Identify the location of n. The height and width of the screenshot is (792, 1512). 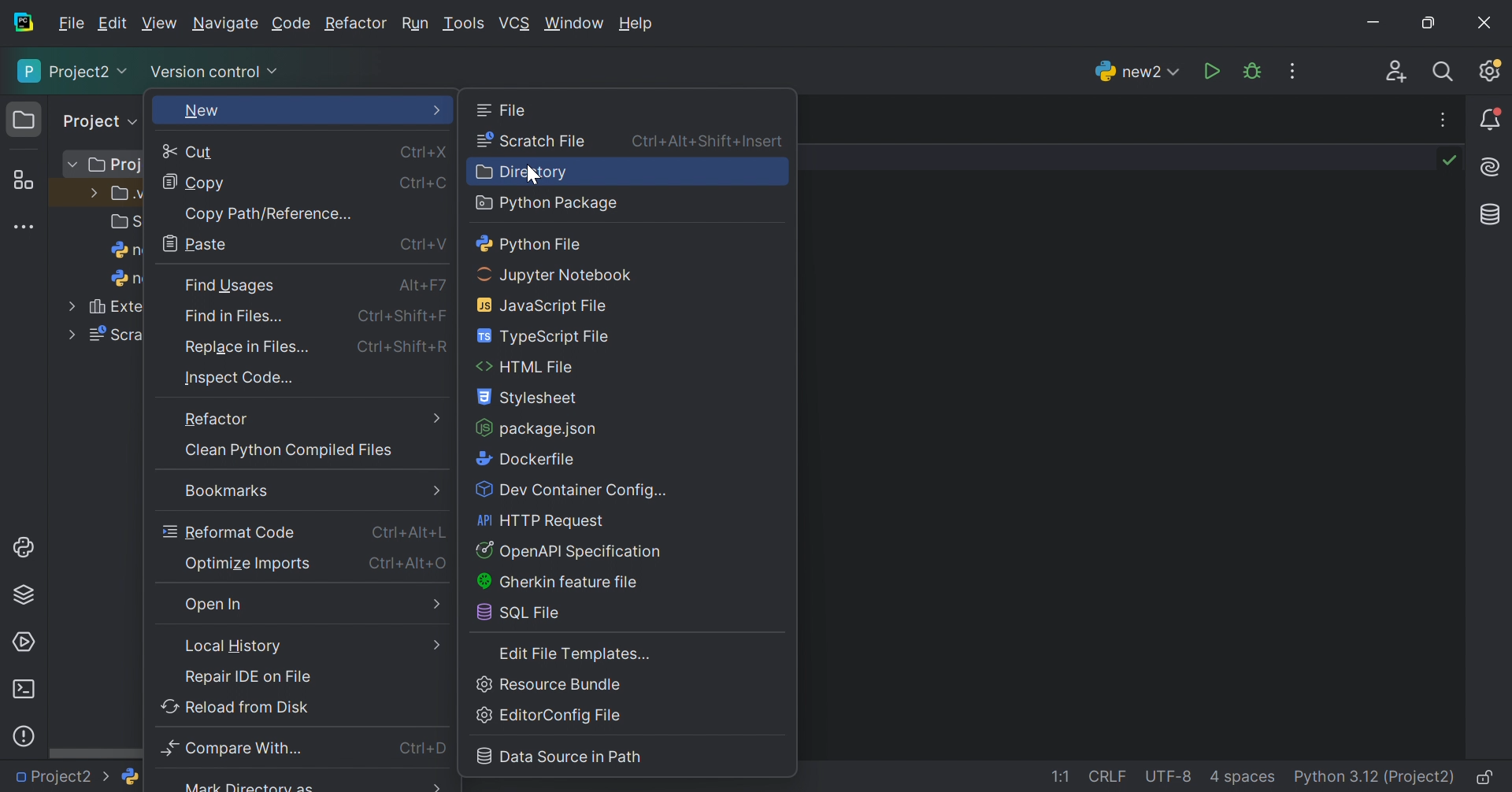
(126, 279).